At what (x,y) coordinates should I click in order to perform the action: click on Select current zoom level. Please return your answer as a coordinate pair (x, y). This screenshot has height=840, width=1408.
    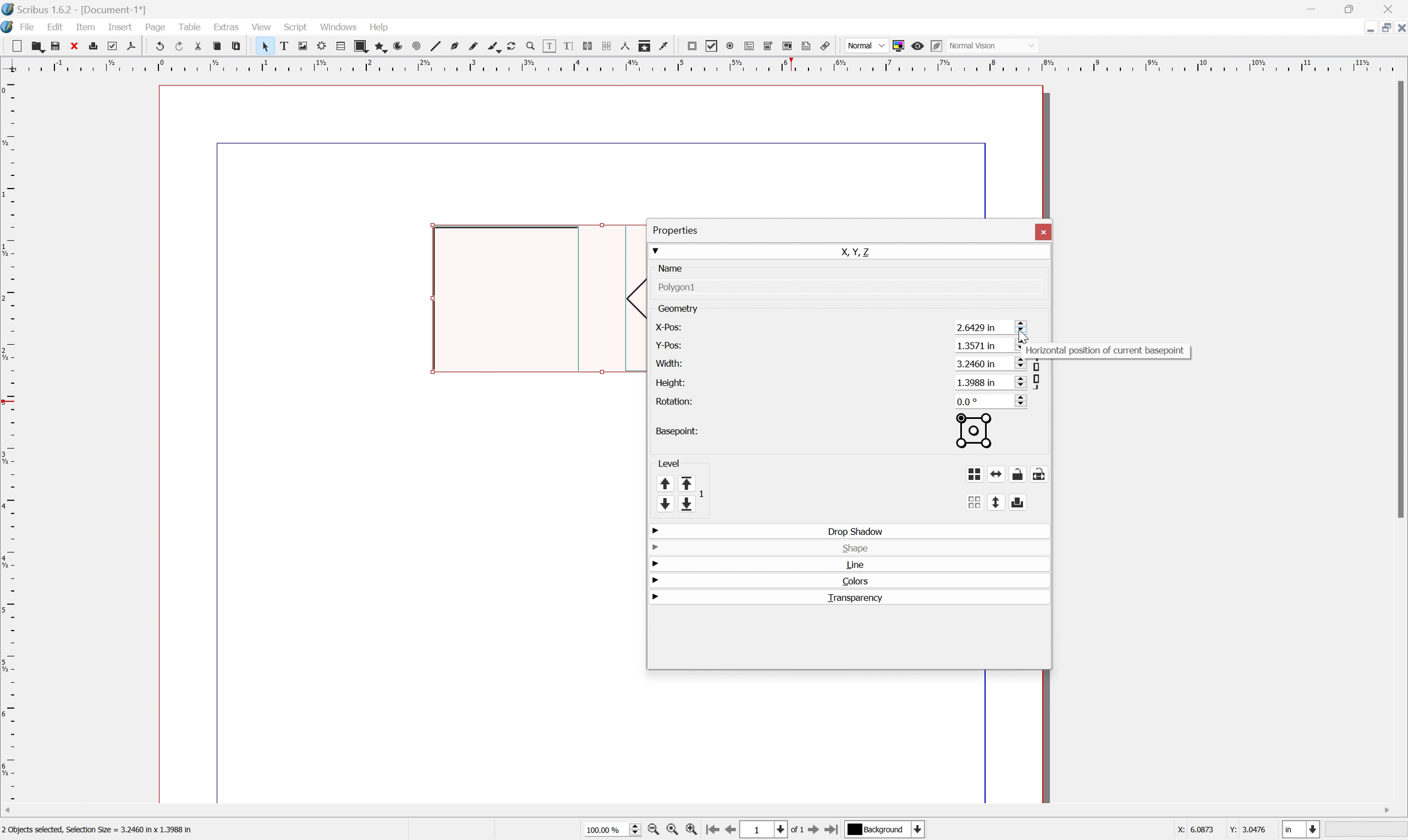
    Looking at the image, I should click on (609, 829).